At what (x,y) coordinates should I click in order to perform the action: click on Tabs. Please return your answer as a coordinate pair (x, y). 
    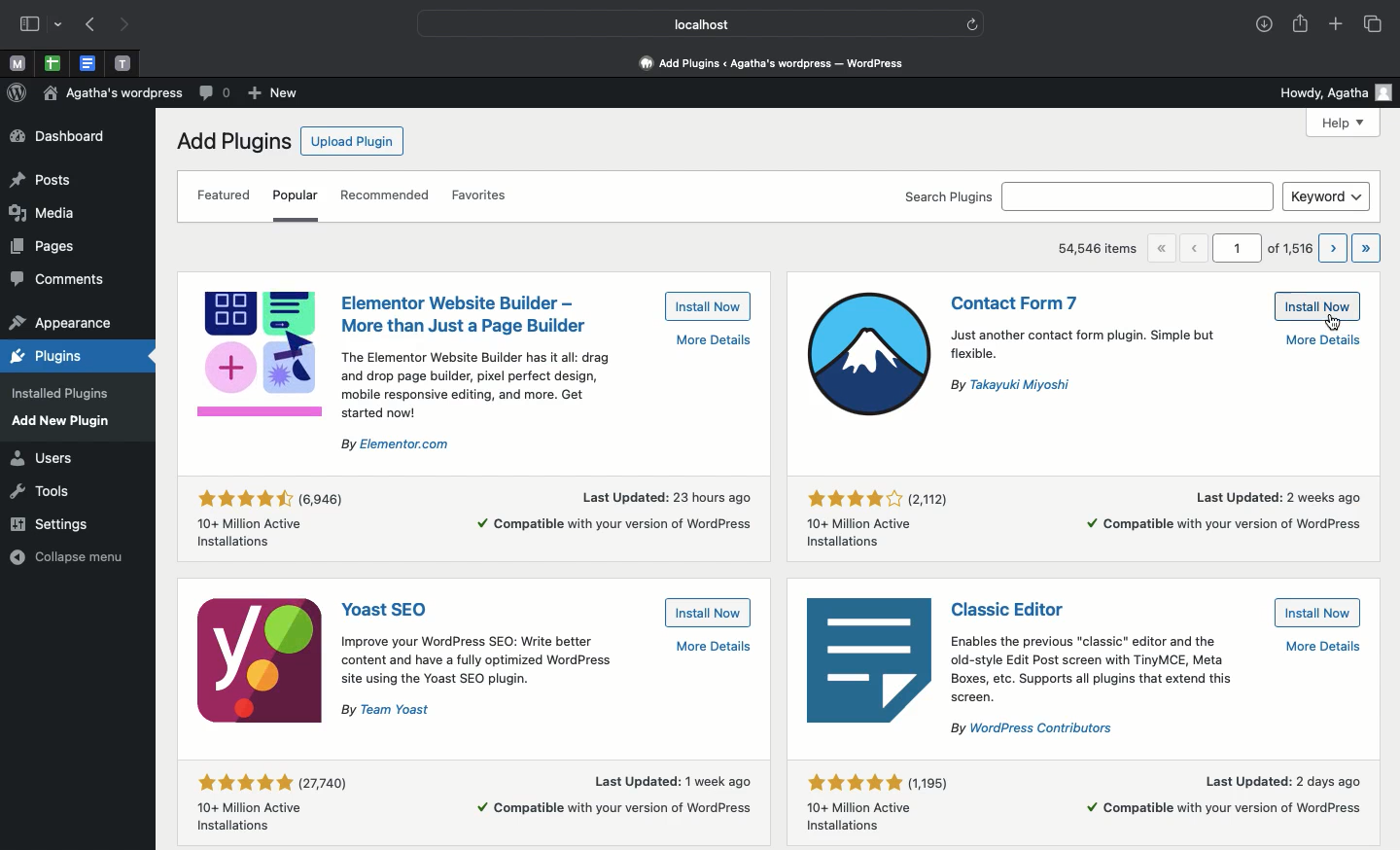
    Looking at the image, I should click on (1374, 23).